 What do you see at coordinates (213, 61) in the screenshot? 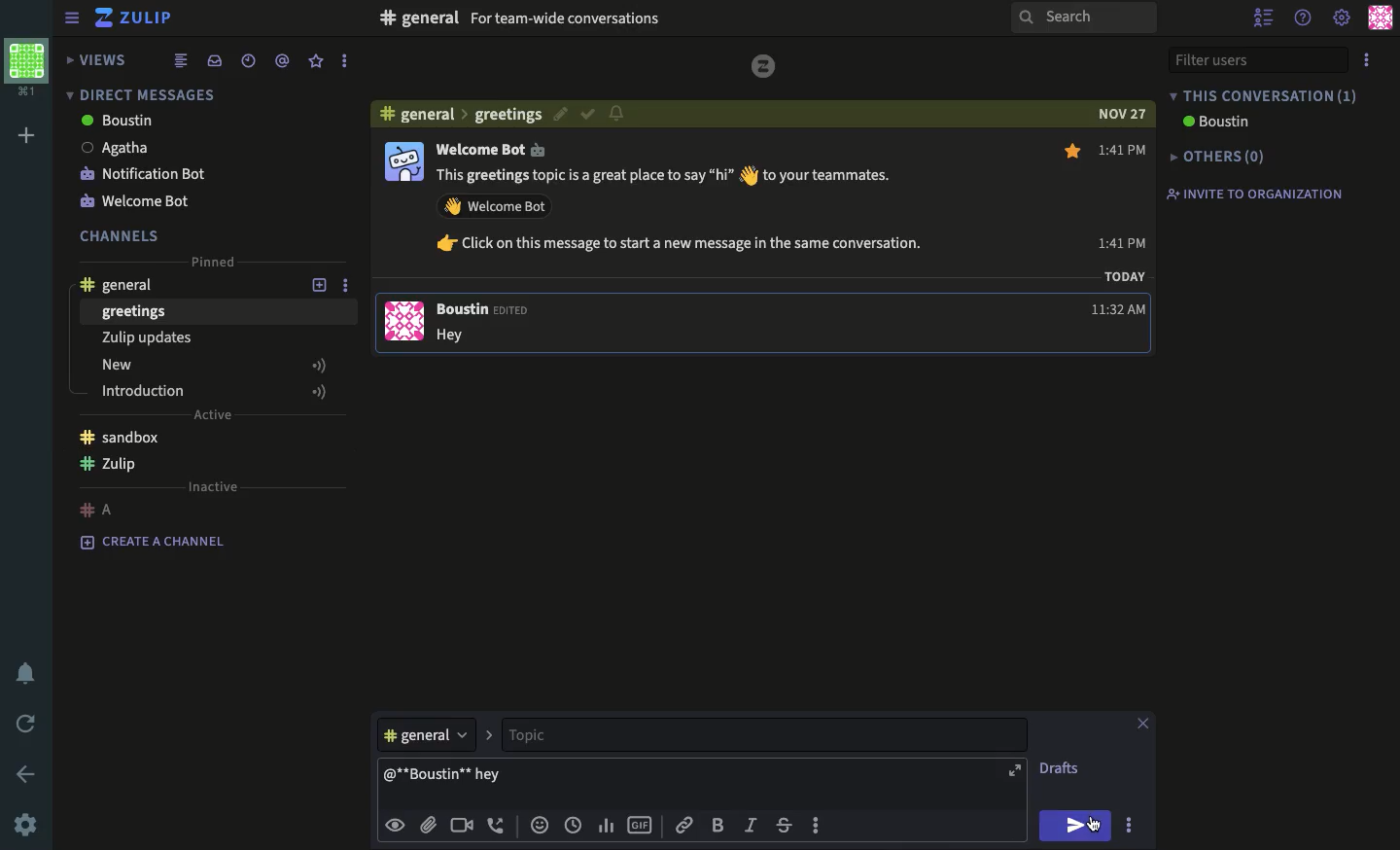
I see `inbox` at bounding box center [213, 61].